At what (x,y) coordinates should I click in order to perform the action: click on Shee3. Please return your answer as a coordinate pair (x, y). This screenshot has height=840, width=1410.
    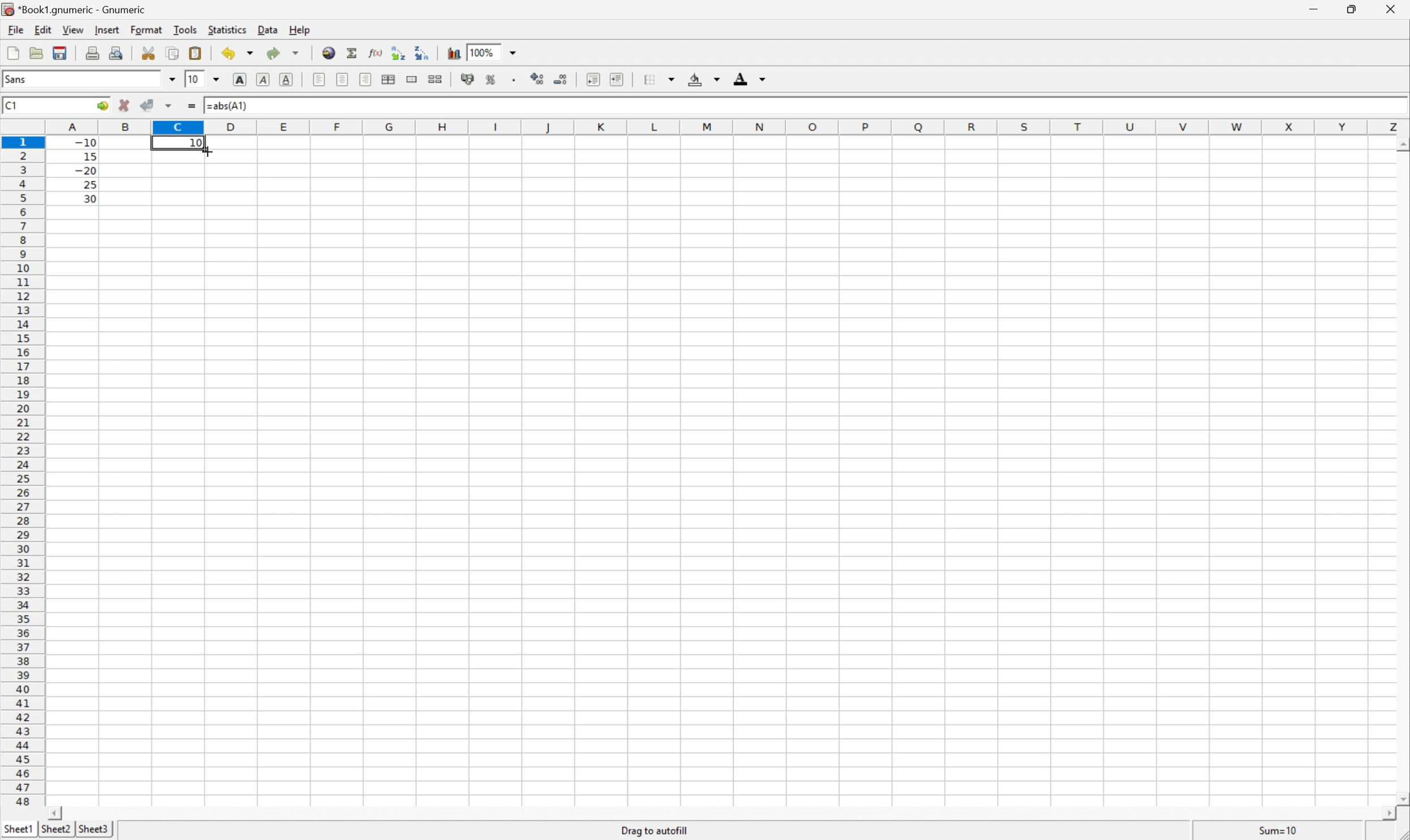
    Looking at the image, I should click on (93, 829).